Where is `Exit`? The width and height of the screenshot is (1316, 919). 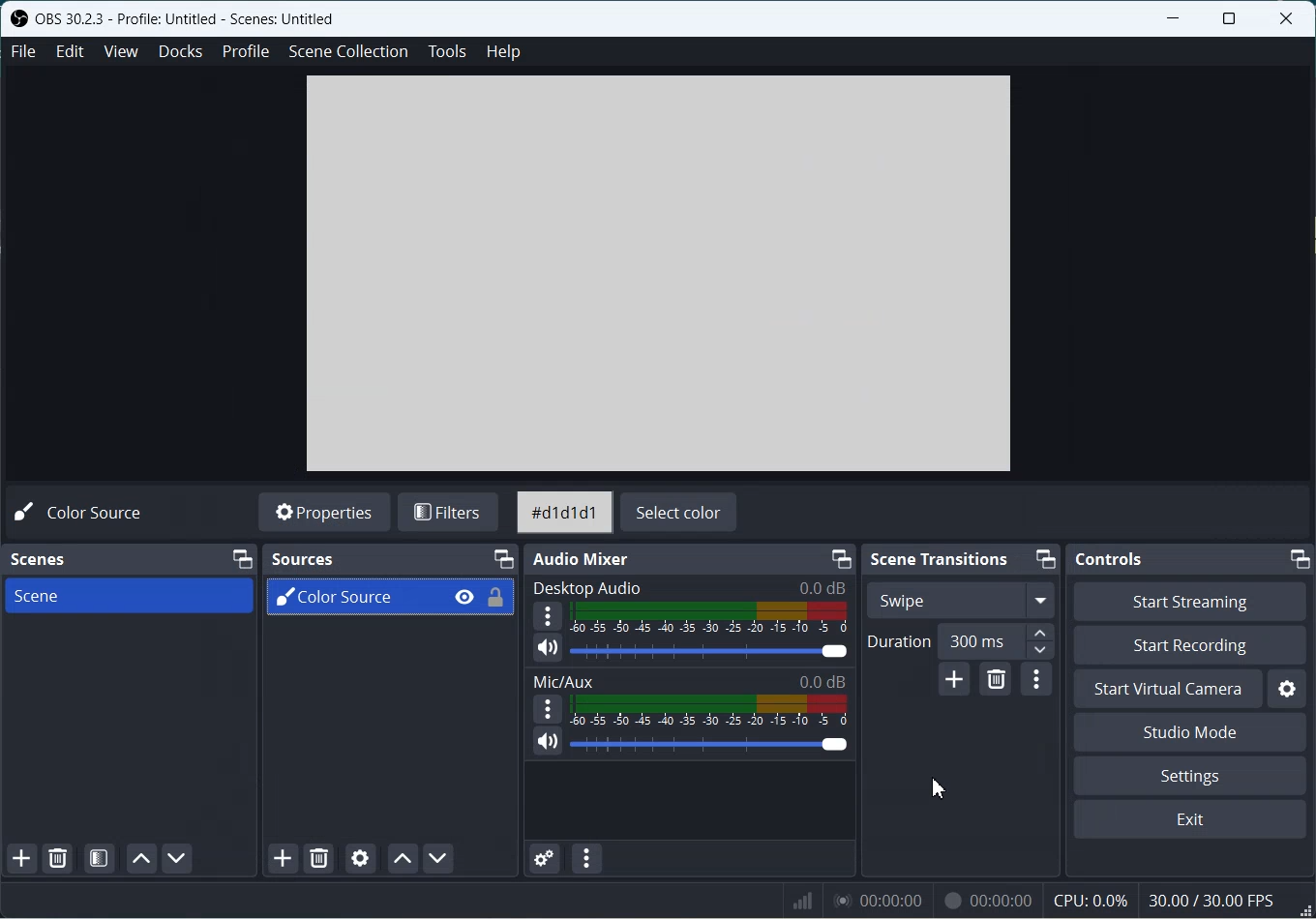
Exit is located at coordinates (1189, 819).